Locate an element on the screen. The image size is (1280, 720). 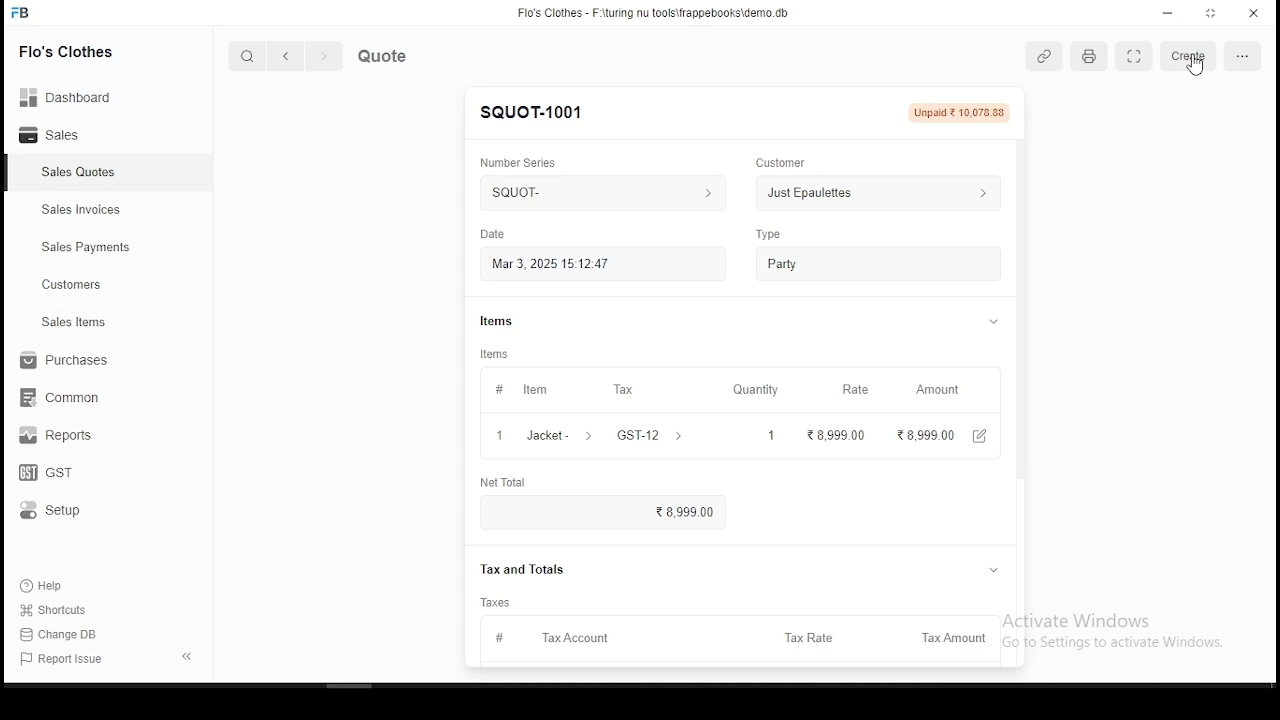
quote is located at coordinates (407, 56).